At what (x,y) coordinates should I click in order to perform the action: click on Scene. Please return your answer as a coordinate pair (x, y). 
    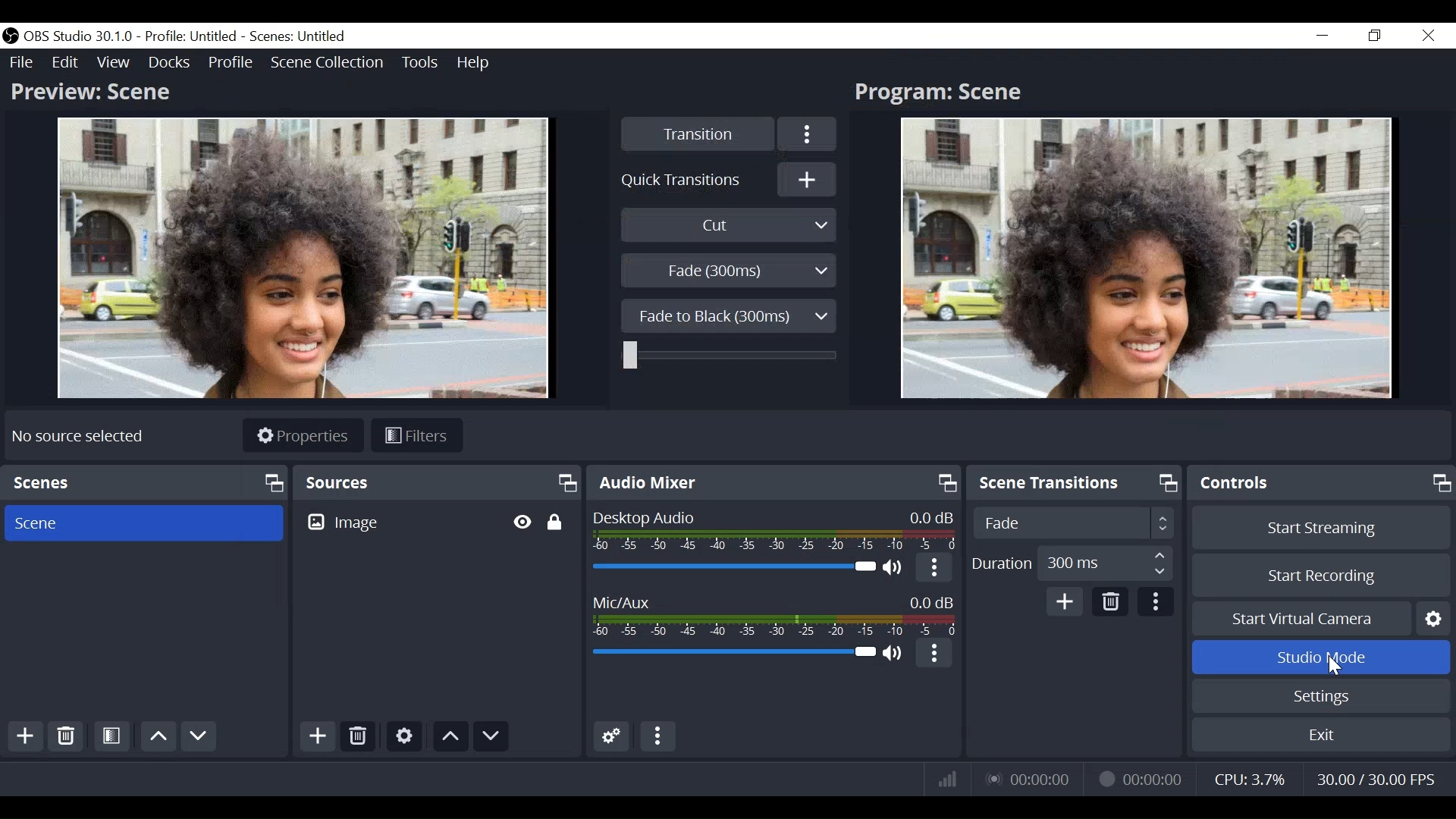
    Looking at the image, I should click on (144, 523).